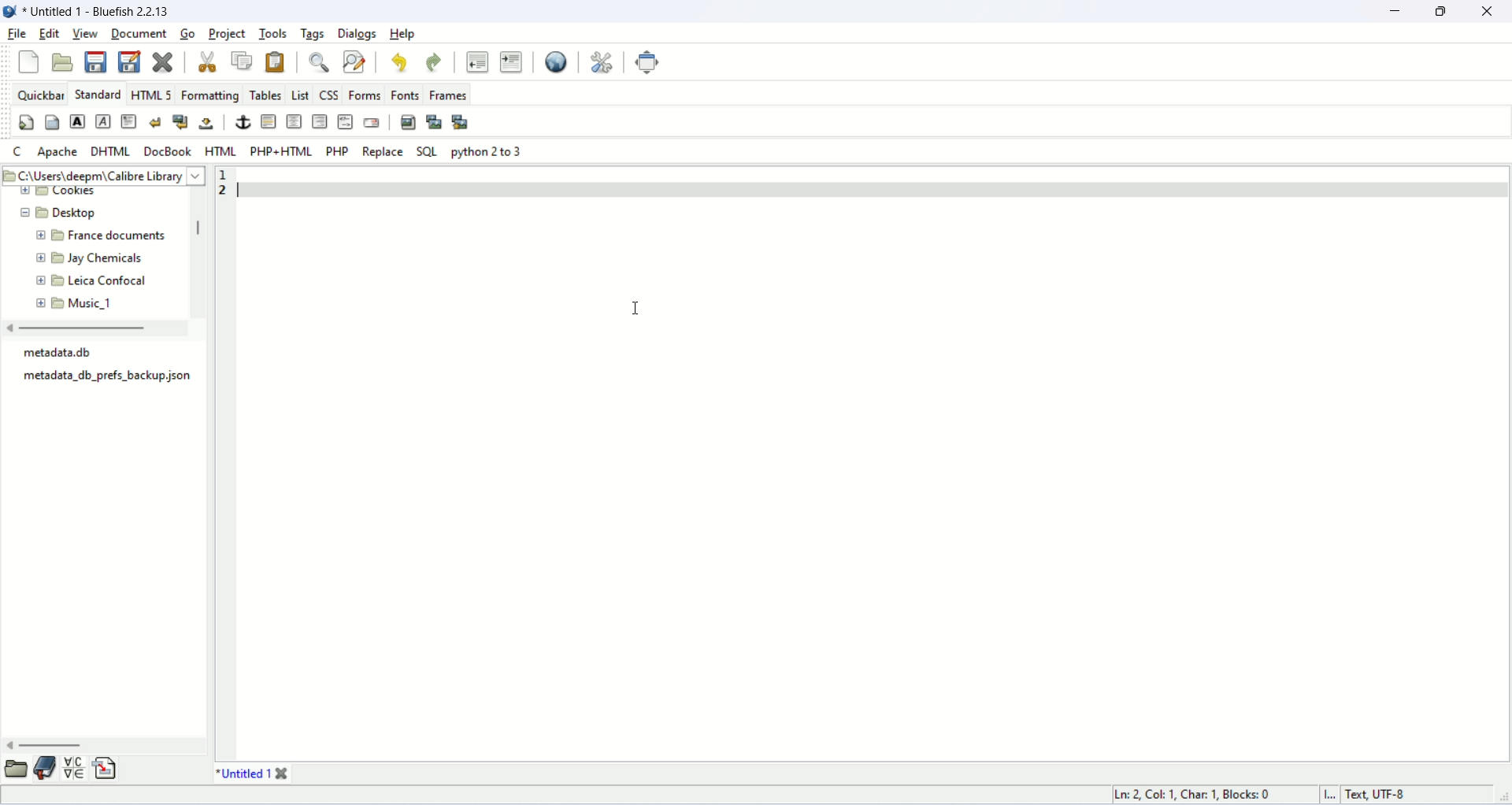 The image size is (1512, 805). I want to click on folder name, so click(88, 280).